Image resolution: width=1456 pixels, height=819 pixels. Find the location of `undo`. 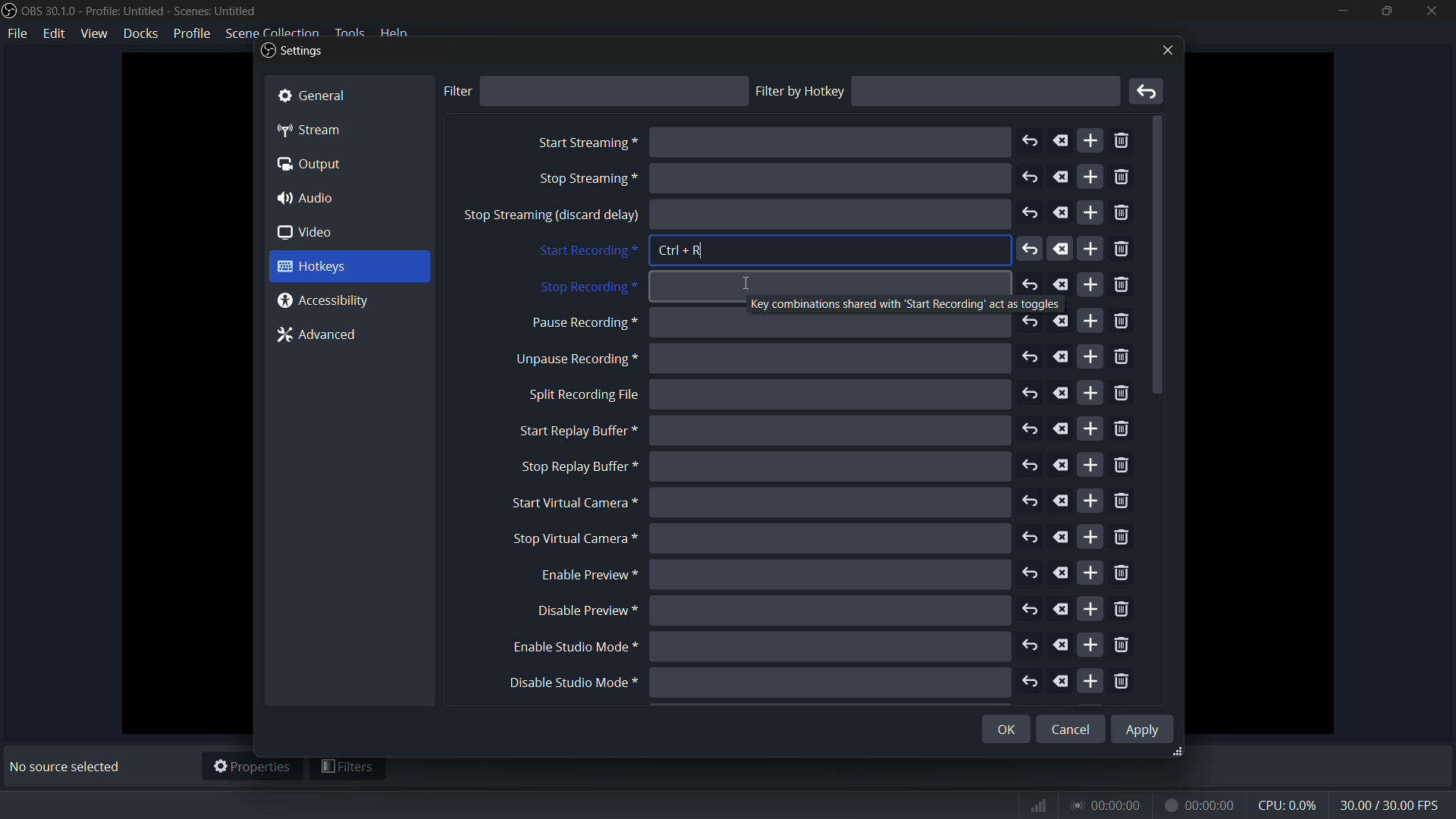

undo is located at coordinates (1031, 358).